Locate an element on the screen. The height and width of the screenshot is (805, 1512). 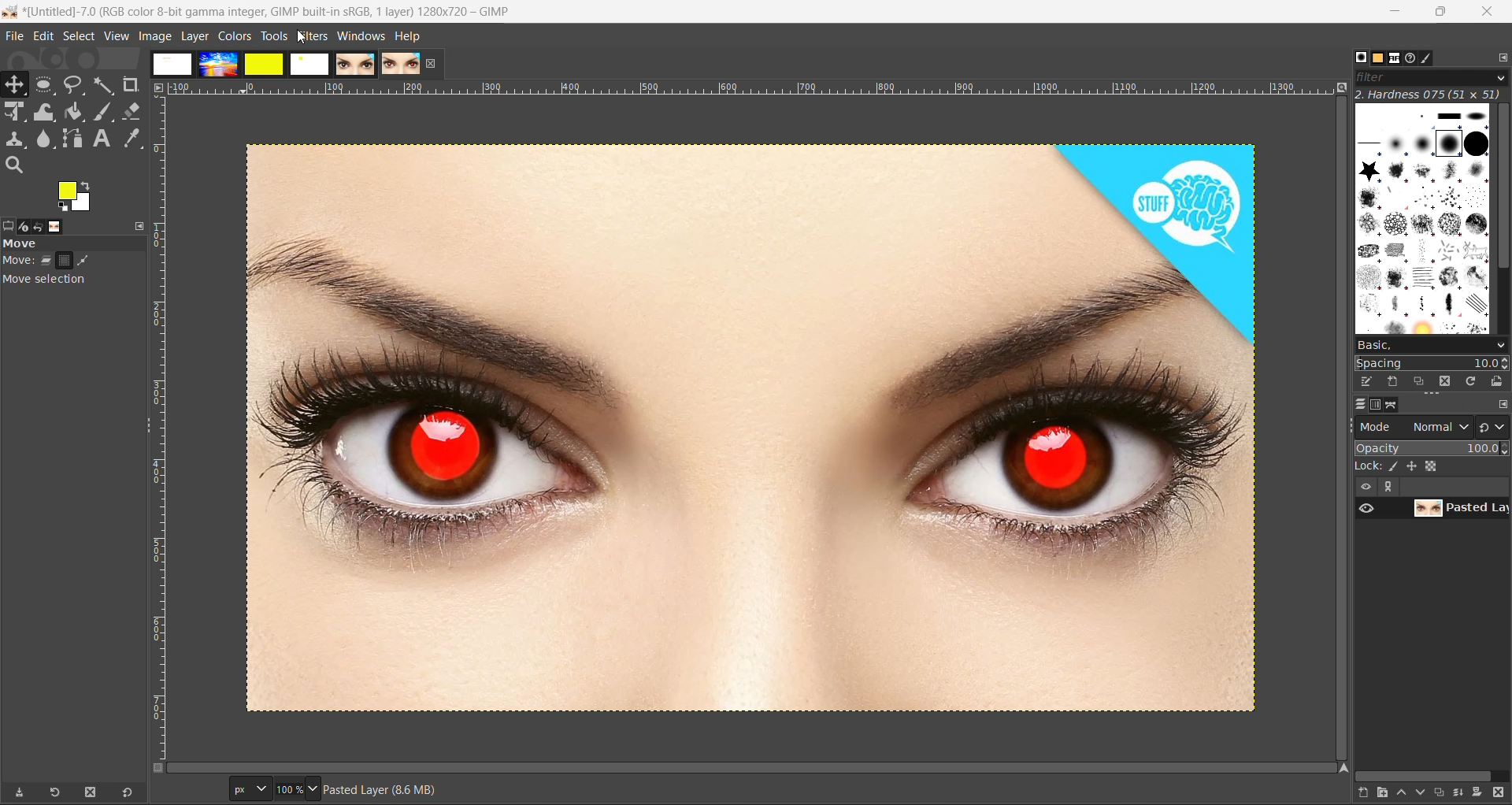
colors is located at coordinates (234, 38).